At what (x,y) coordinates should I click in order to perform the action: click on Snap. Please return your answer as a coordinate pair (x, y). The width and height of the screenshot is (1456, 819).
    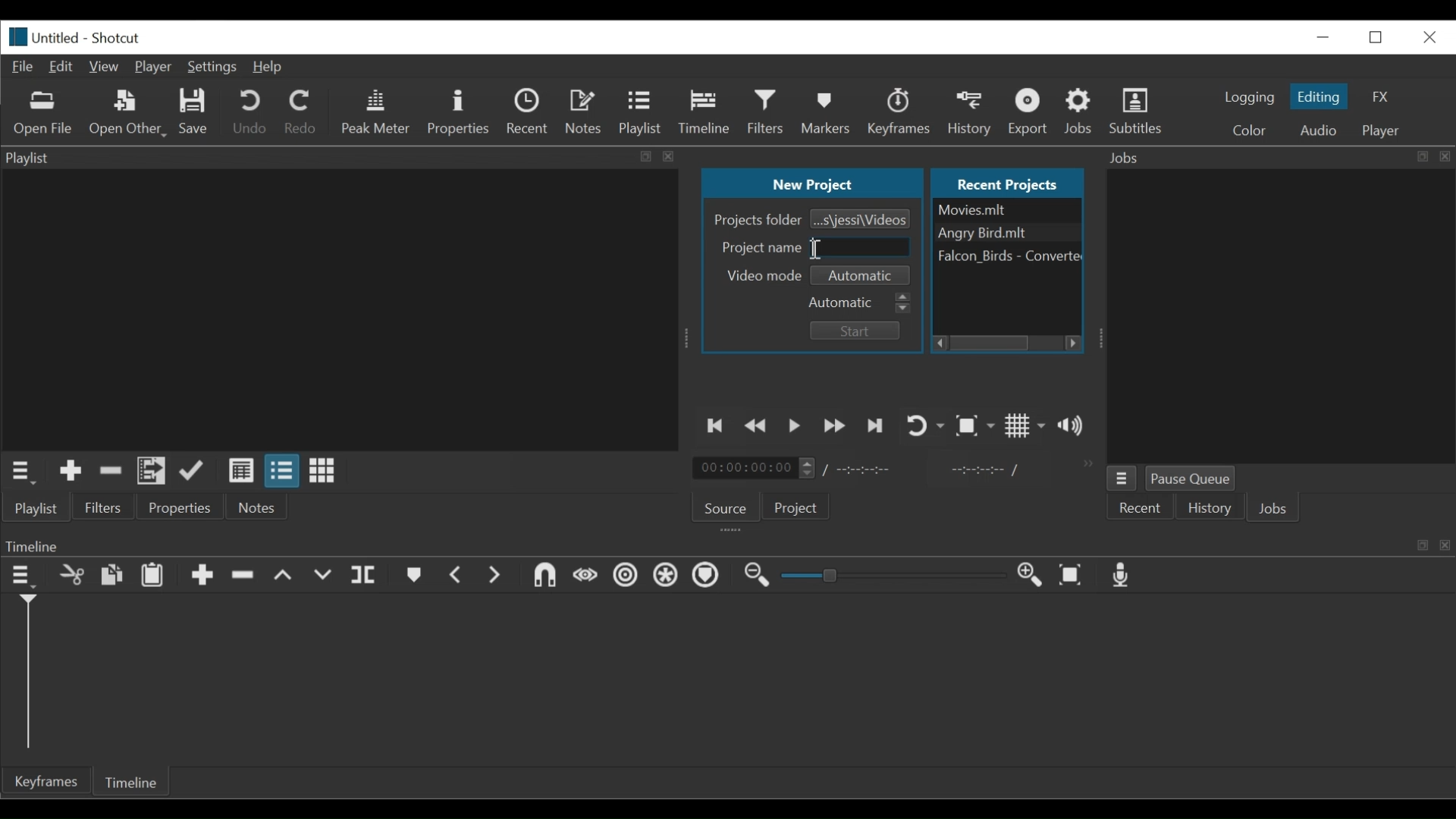
    Looking at the image, I should click on (547, 575).